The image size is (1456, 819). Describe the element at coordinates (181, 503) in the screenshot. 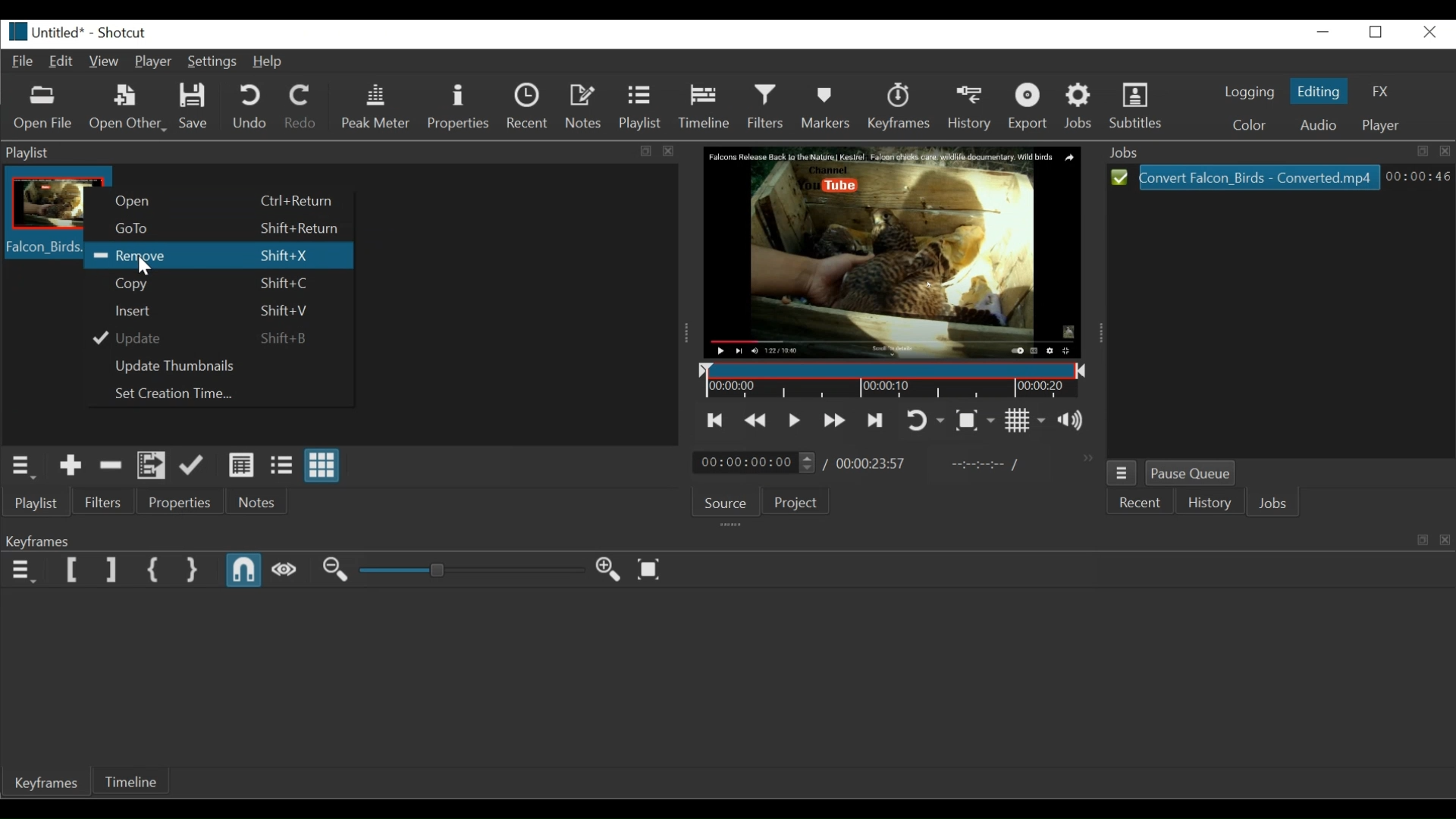

I see `Properties` at that location.